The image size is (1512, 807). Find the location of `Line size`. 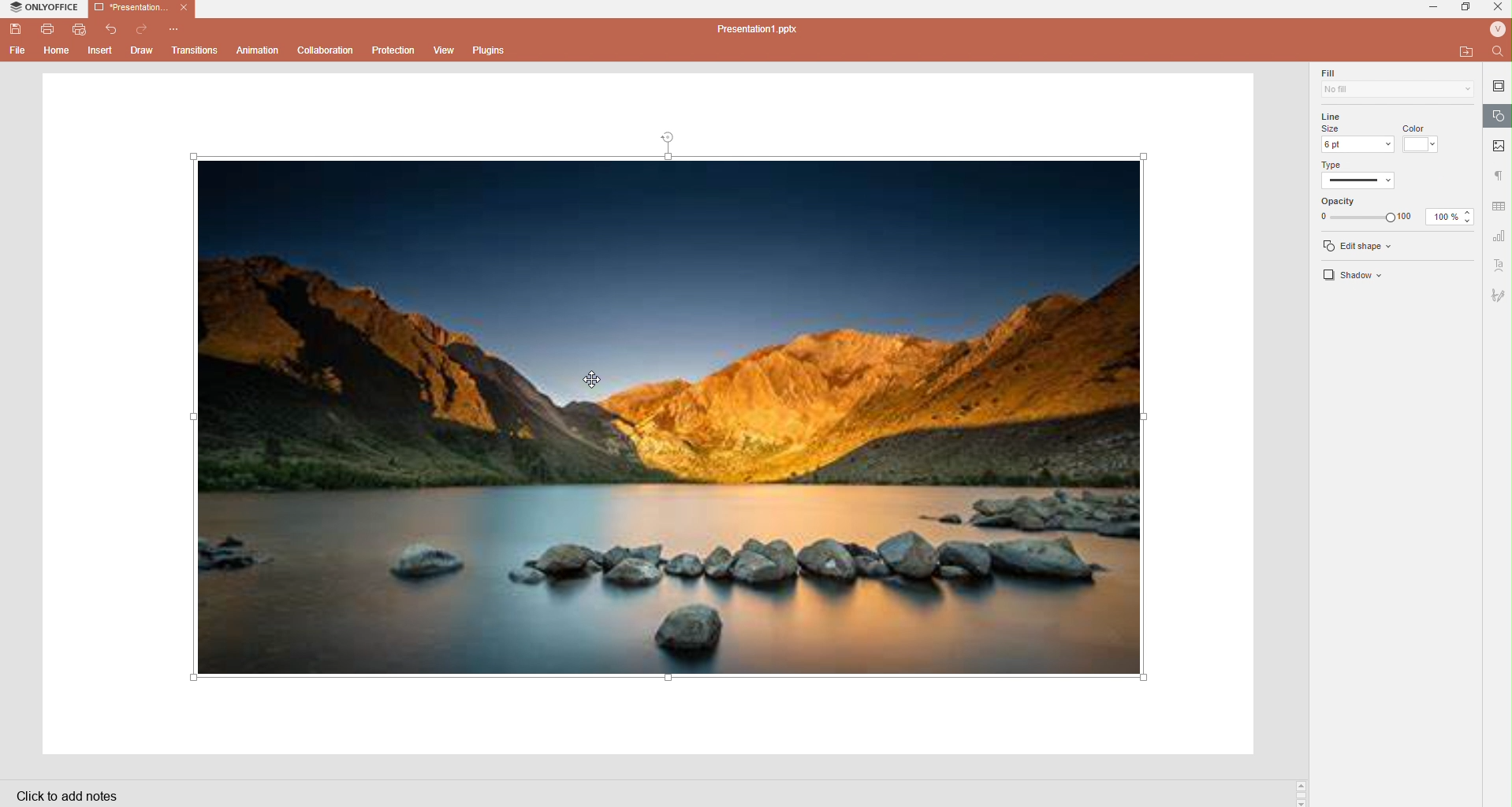

Line size is located at coordinates (1357, 133).